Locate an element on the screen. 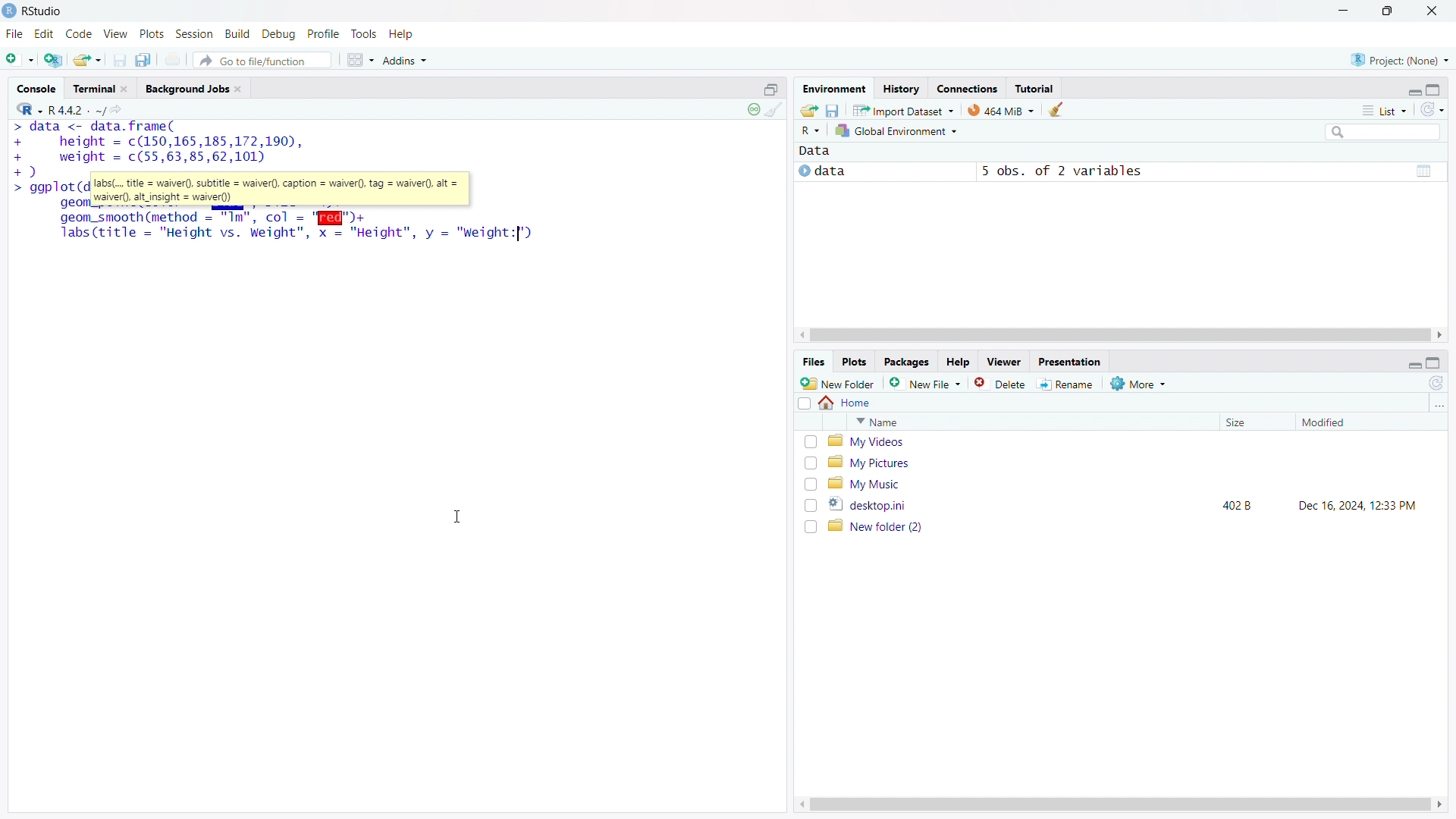  name is located at coordinates (1030, 422).